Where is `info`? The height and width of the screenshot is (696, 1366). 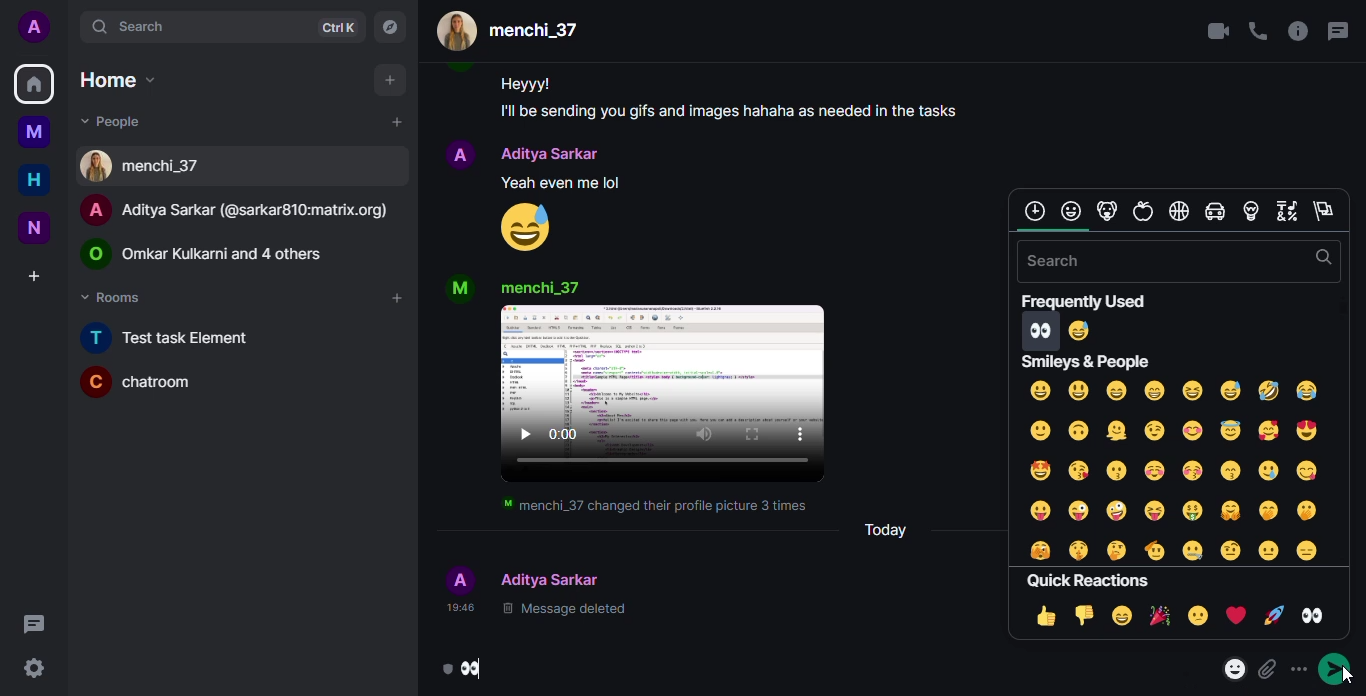
info is located at coordinates (1296, 32).